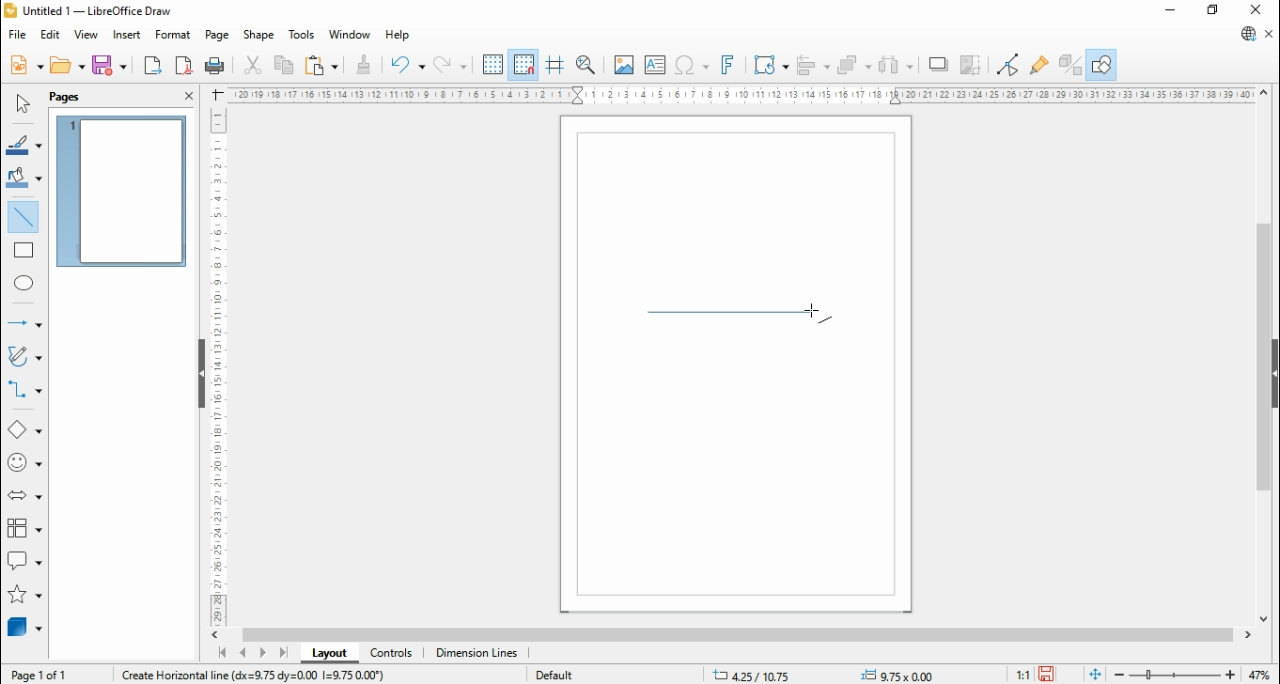 The width and height of the screenshot is (1280, 684). Describe the element at coordinates (24, 529) in the screenshot. I see `flowchart` at that location.